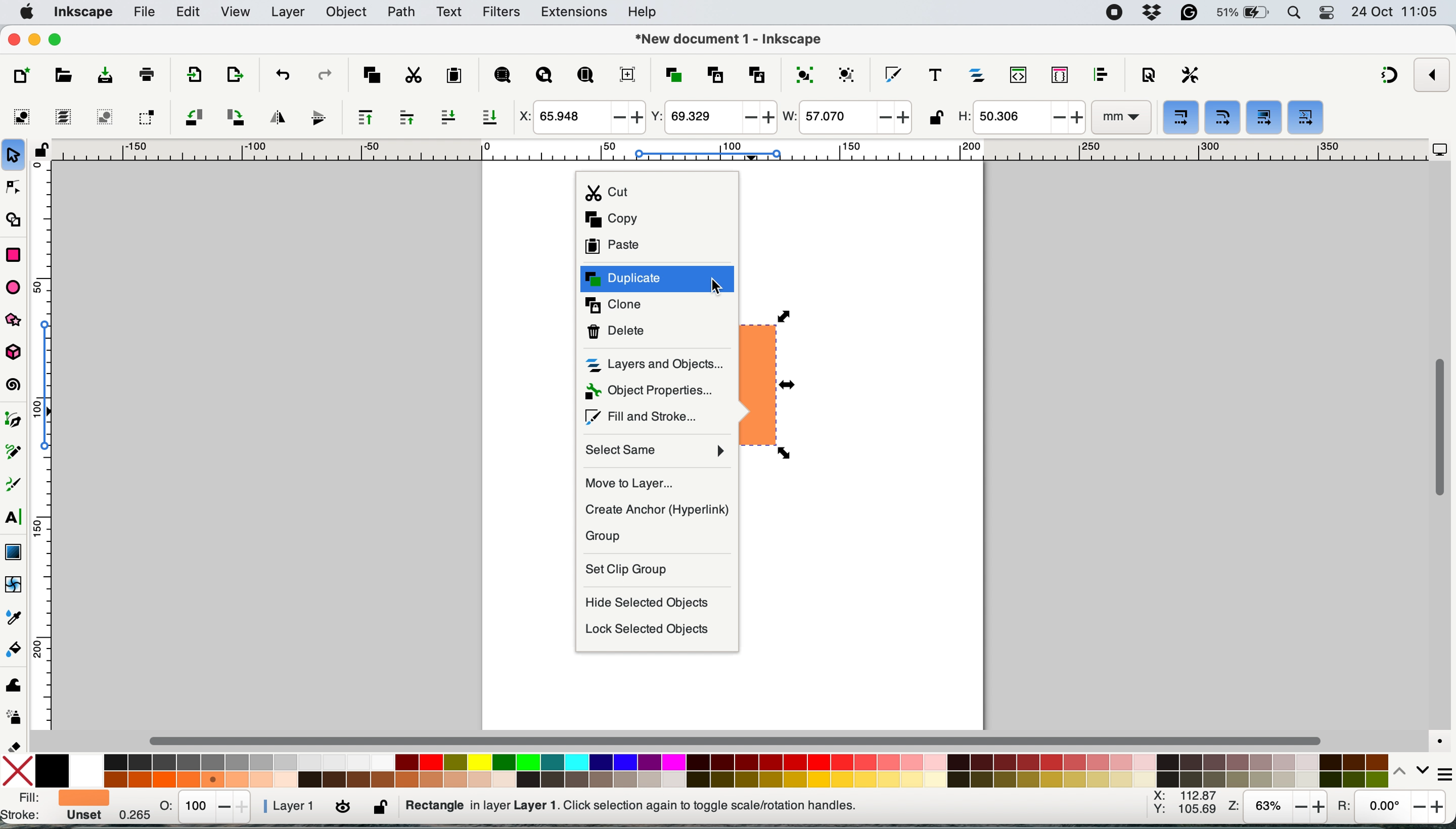 This screenshot has width=1456, height=829. Describe the element at coordinates (19, 353) in the screenshot. I see `3dbox tool` at that location.